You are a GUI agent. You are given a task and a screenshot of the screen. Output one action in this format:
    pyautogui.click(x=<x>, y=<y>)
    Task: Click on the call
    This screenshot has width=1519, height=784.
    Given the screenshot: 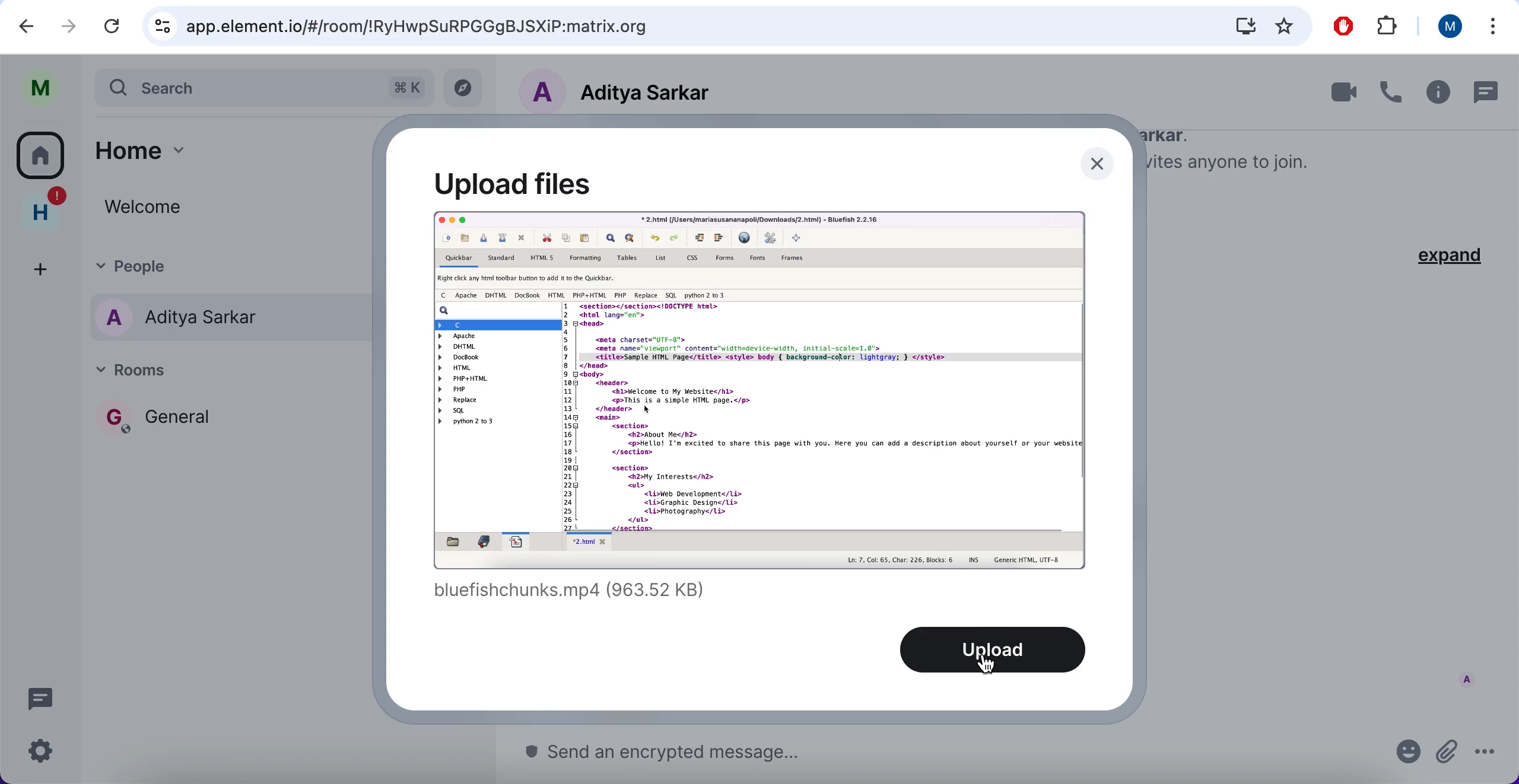 What is the action you would take?
    pyautogui.click(x=1390, y=92)
    